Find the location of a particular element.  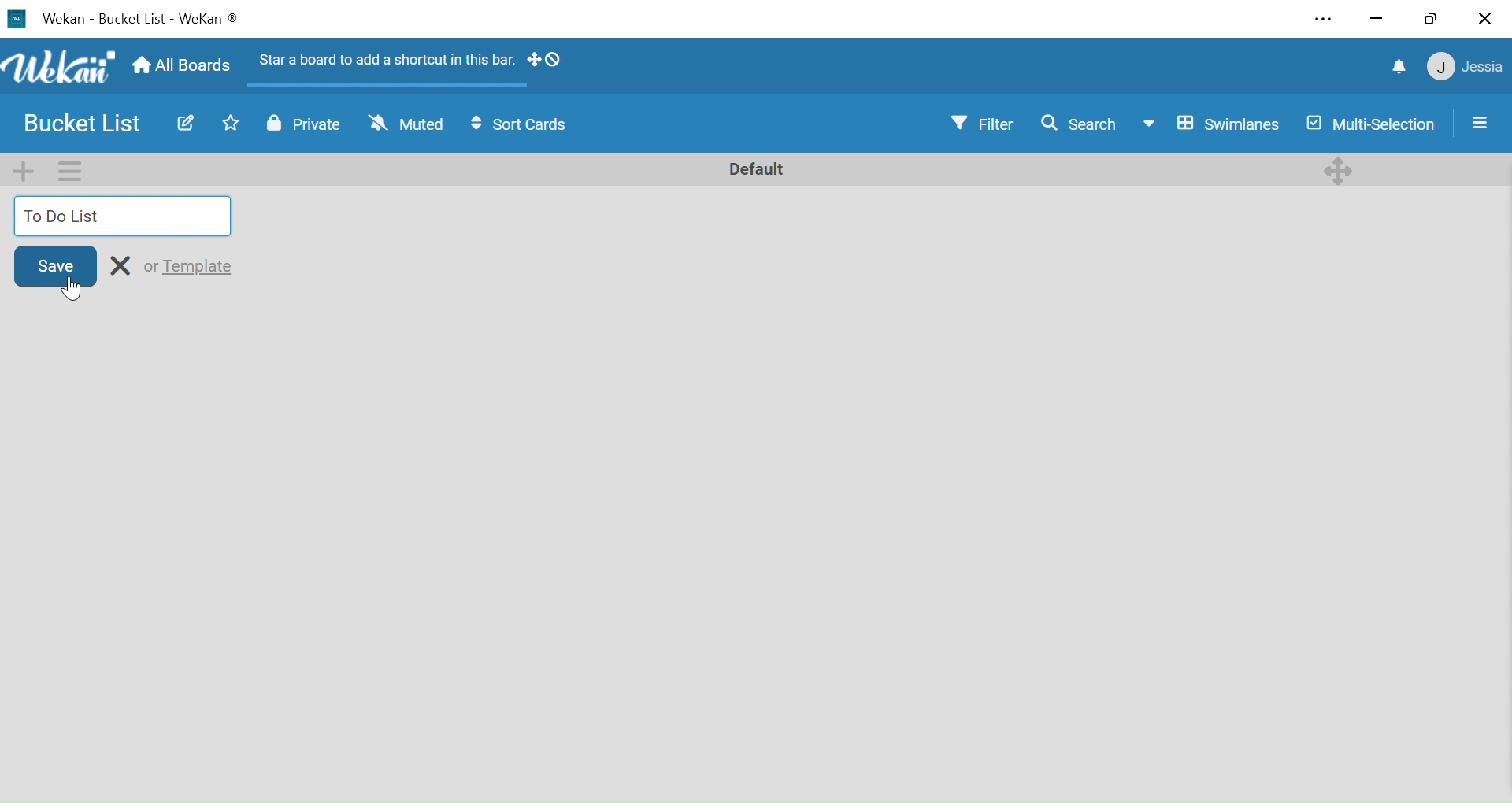

Add list is located at coordinates (124, 216).